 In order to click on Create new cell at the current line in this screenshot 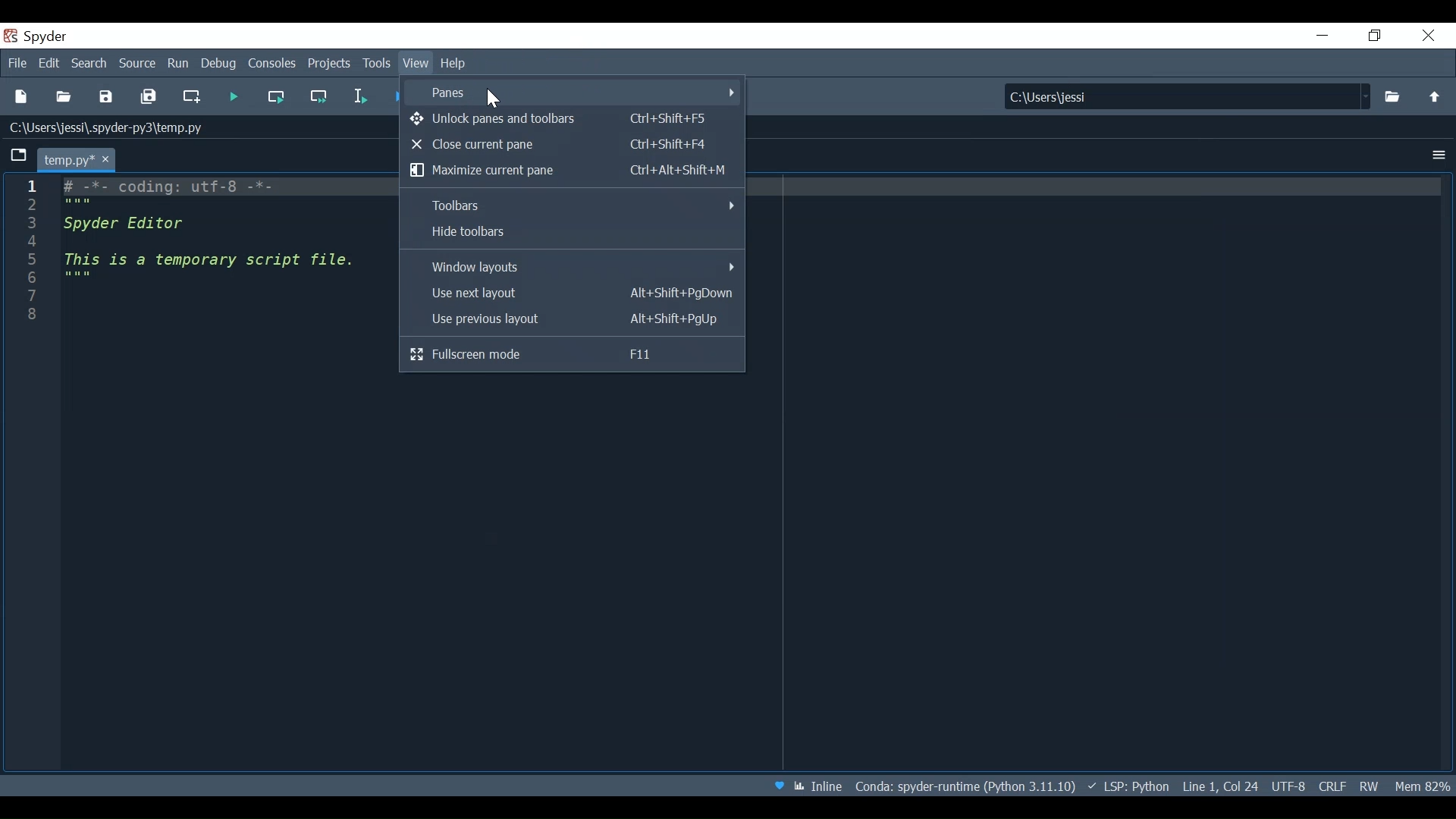, I will do `click(193, 99)`.